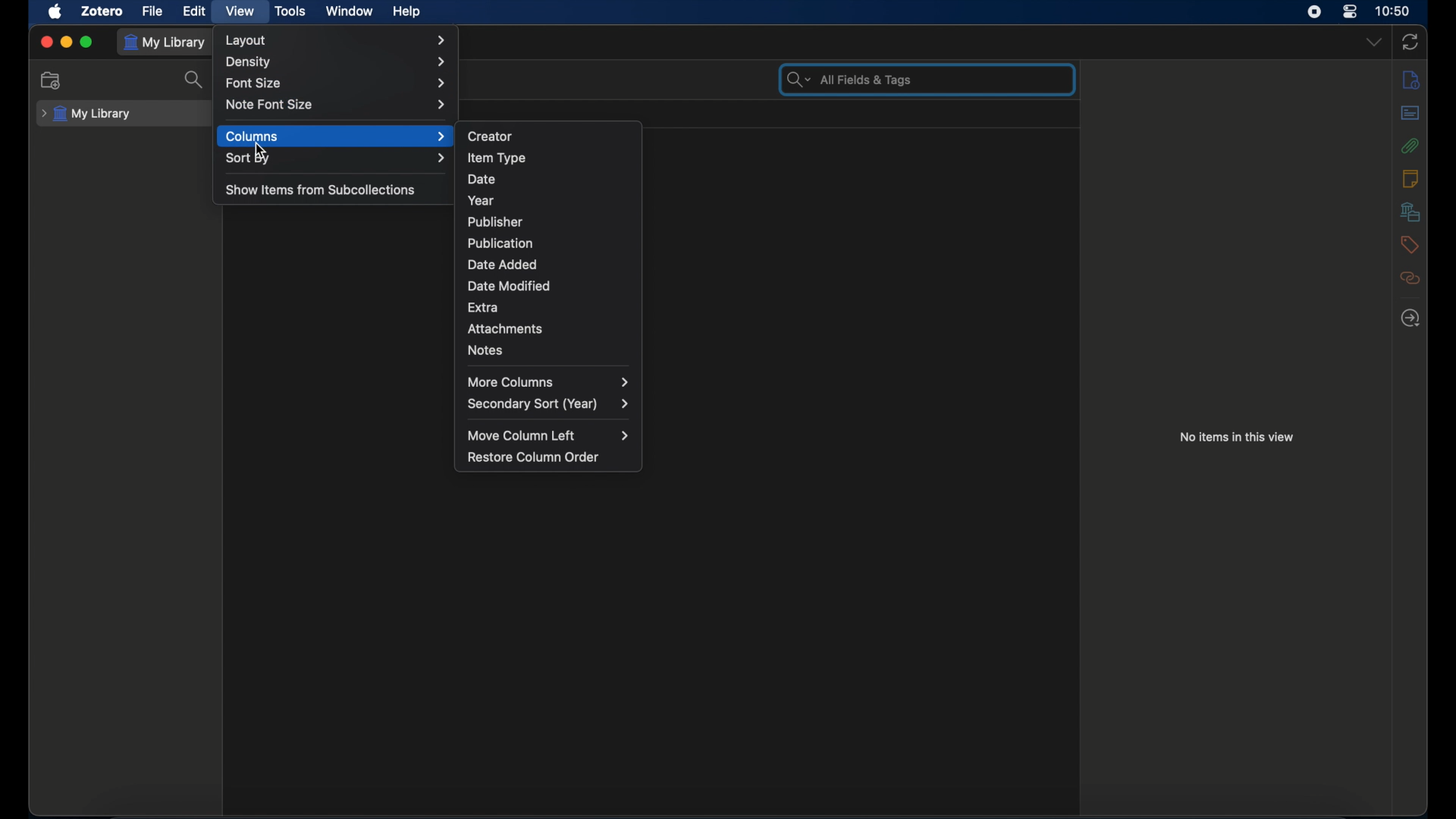  Describe the element at coordinates (52, 80) in the screenshot. I see `new collection` at that location.